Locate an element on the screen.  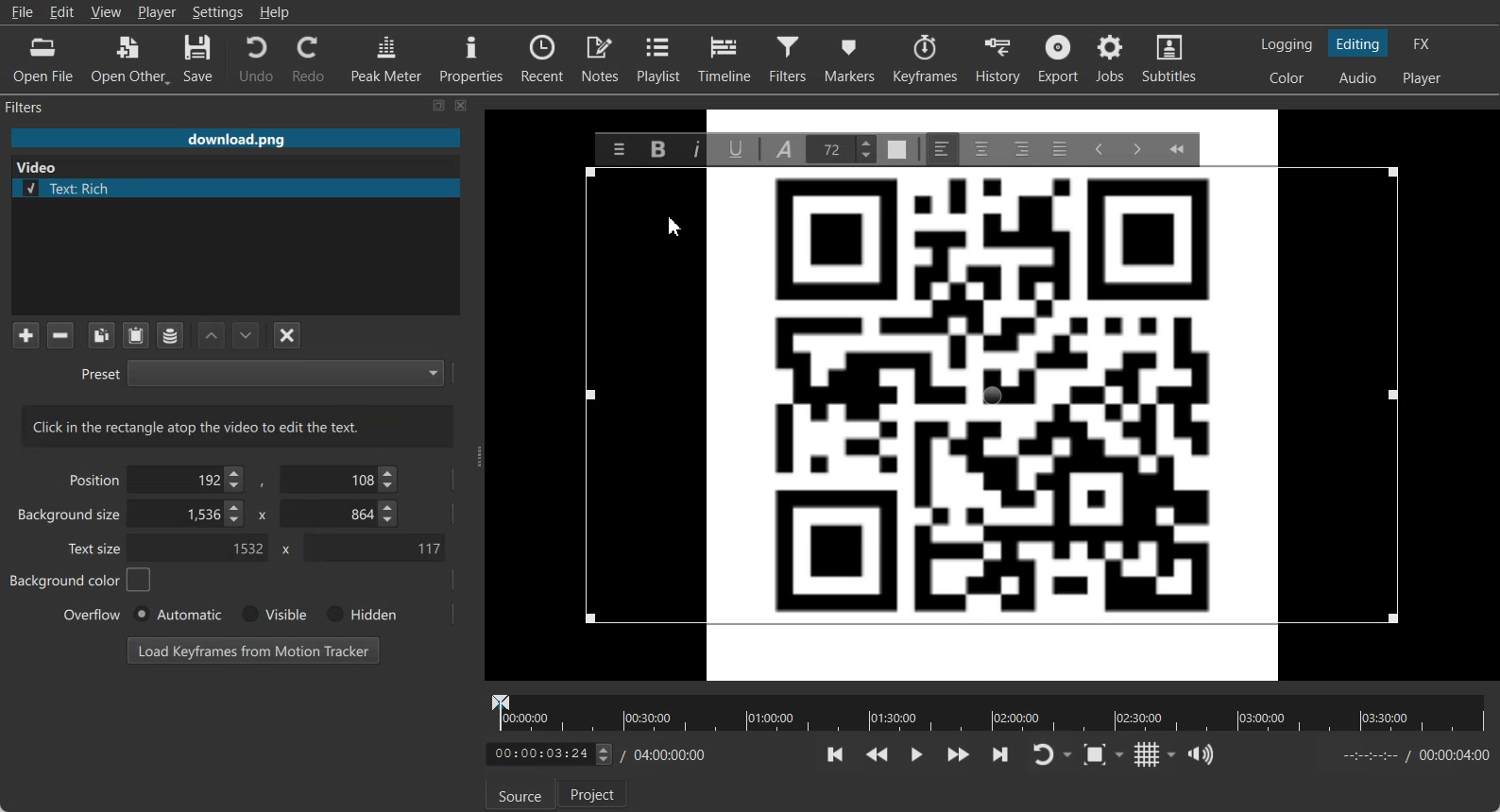
Bold is located at coordinates (657, 148).